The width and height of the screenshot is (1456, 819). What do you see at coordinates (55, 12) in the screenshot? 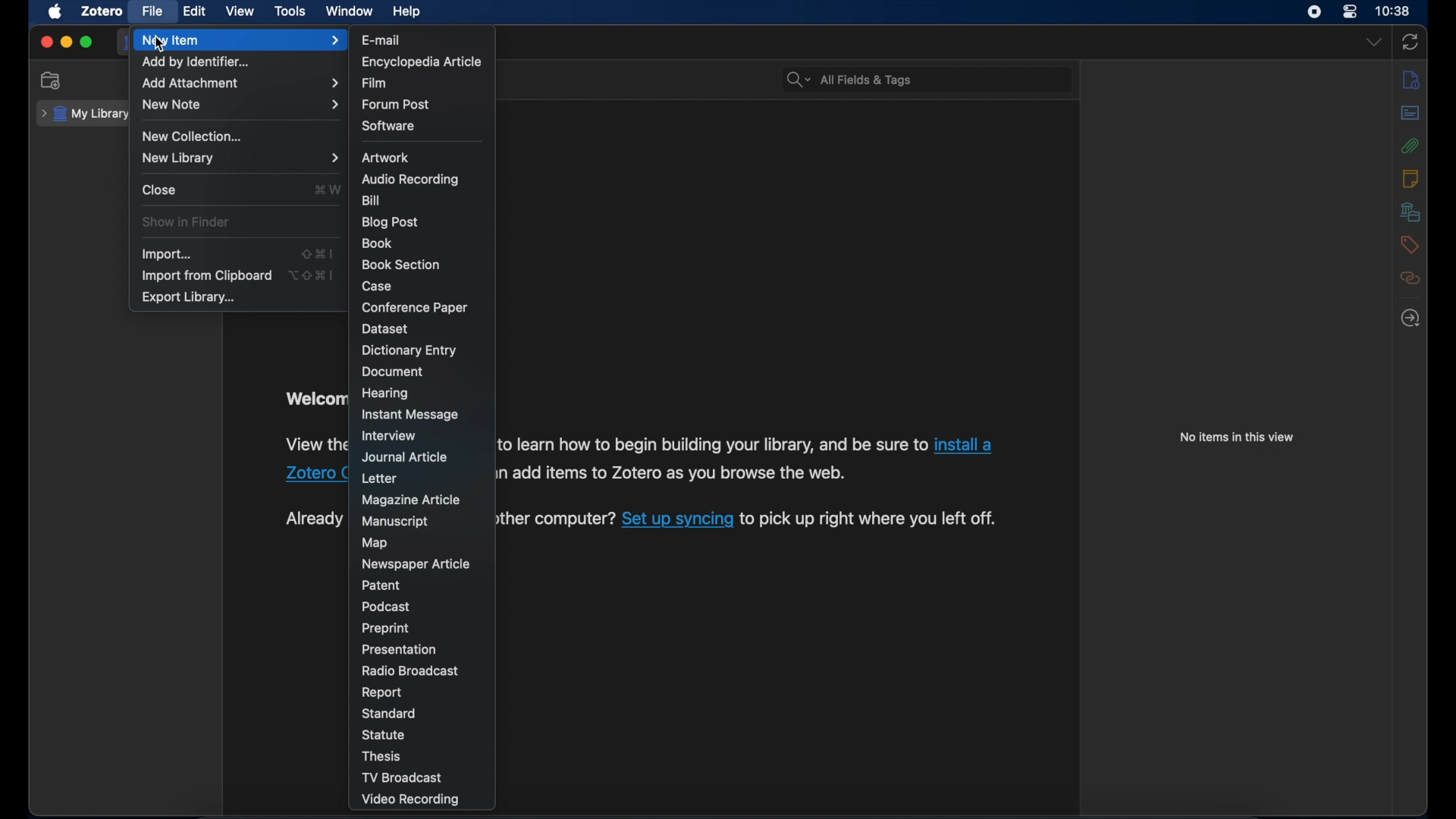
I see `apple` at bounding box center [55, 12].